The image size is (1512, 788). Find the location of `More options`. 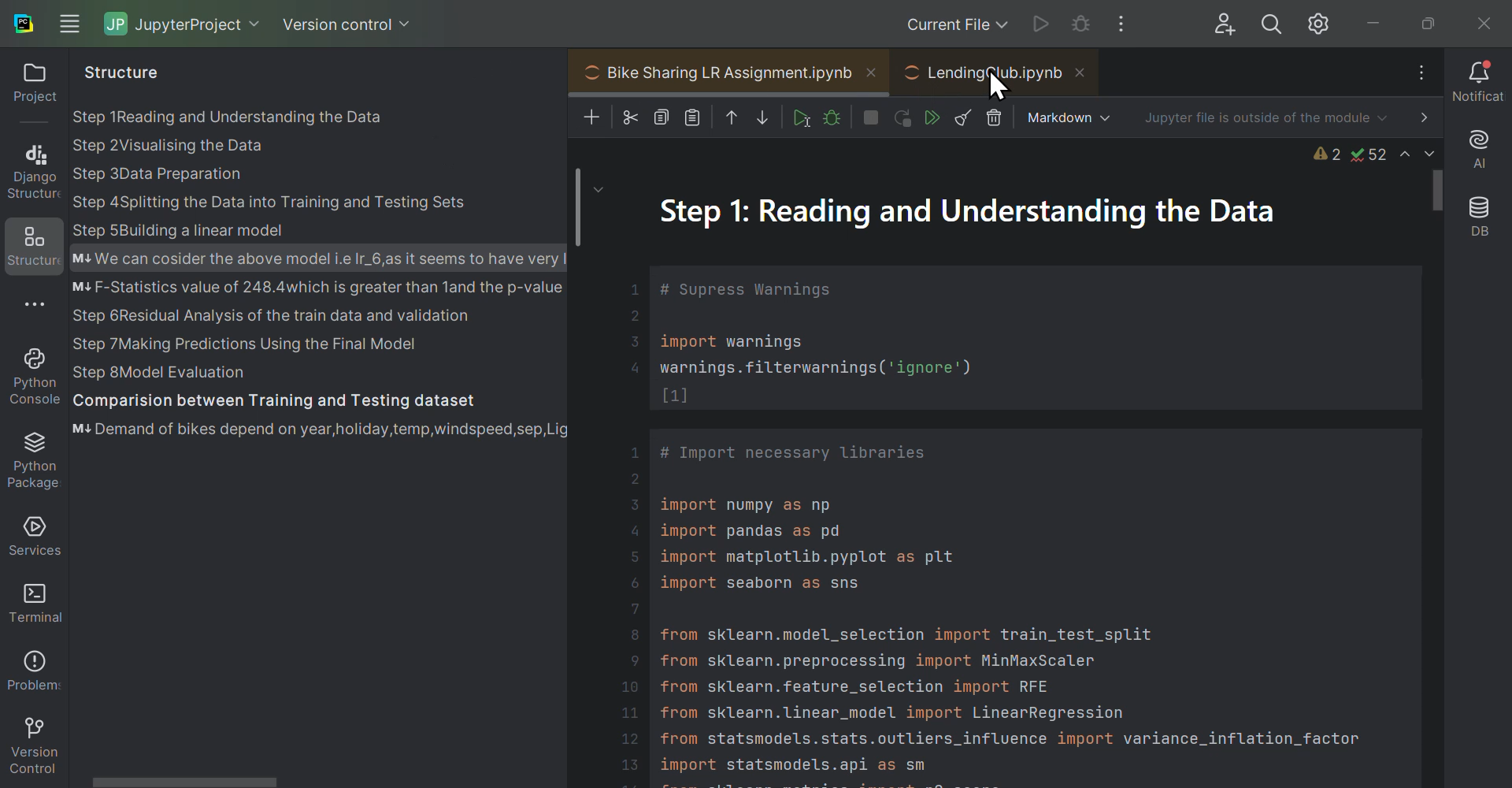

More options is located at coordinates (1419, 79).